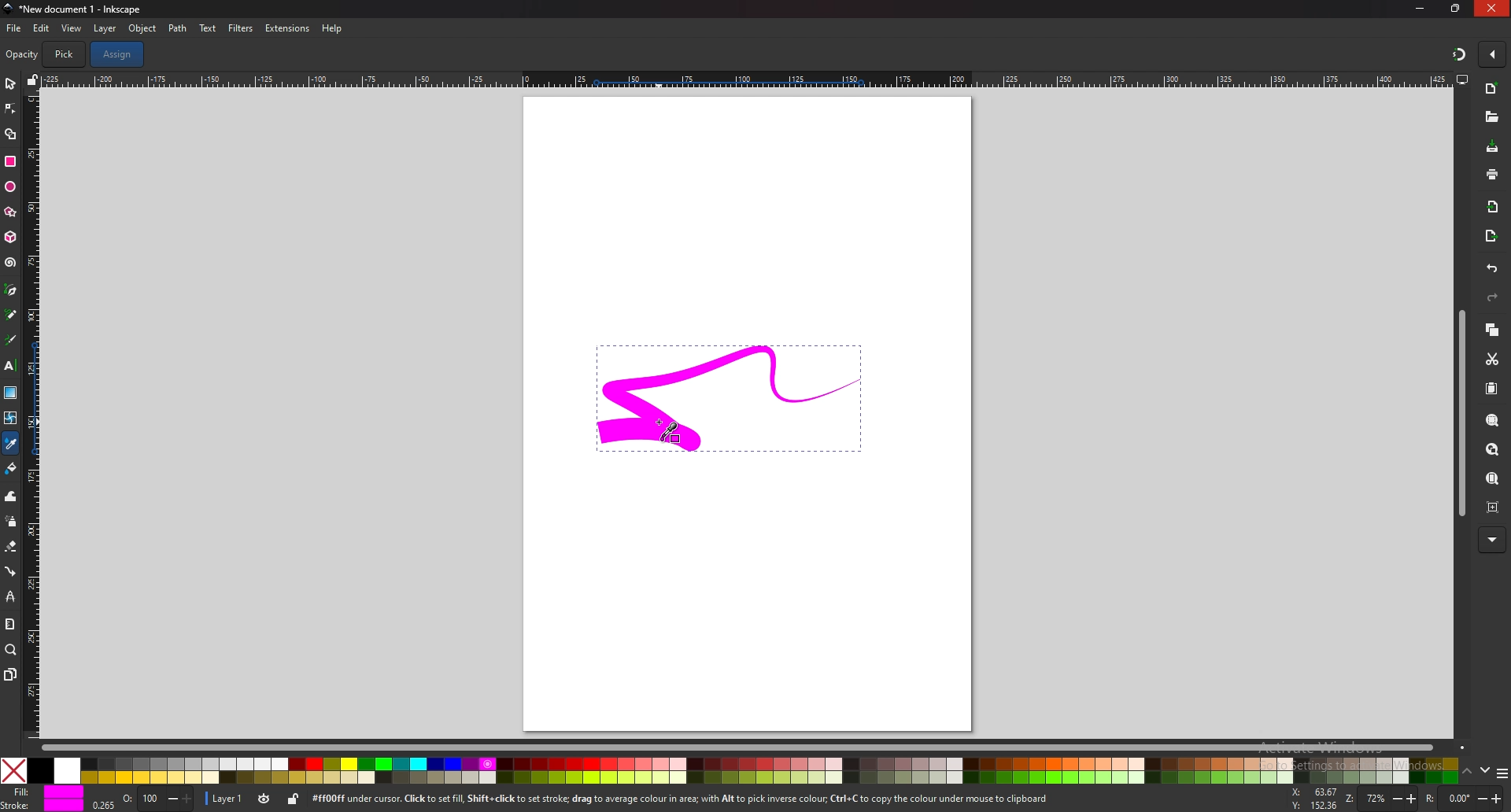 This screenshot has height=812, width=1511. I want to click on paste, so click(1494, 387).